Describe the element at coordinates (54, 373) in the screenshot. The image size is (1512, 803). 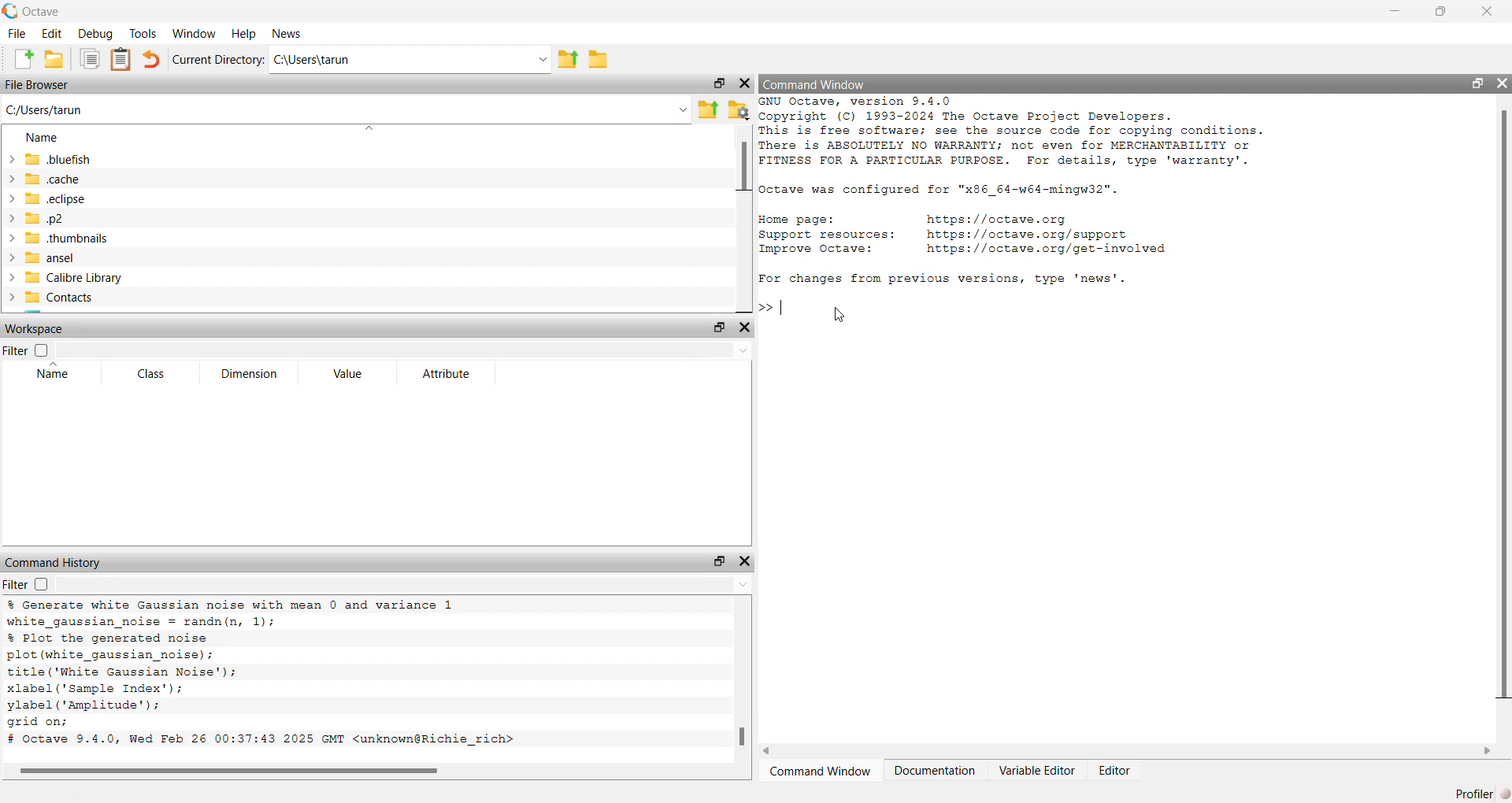
I see `Name` at that location.